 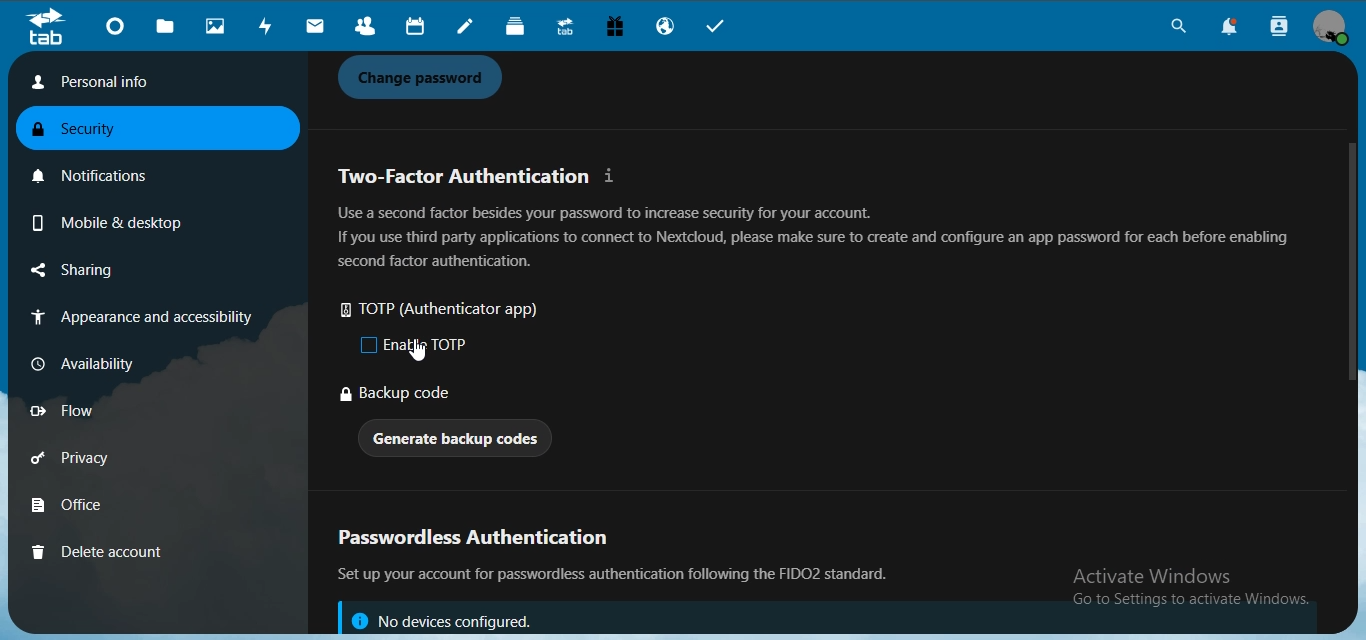 I want to click on contact, so click(x=365, y=27).